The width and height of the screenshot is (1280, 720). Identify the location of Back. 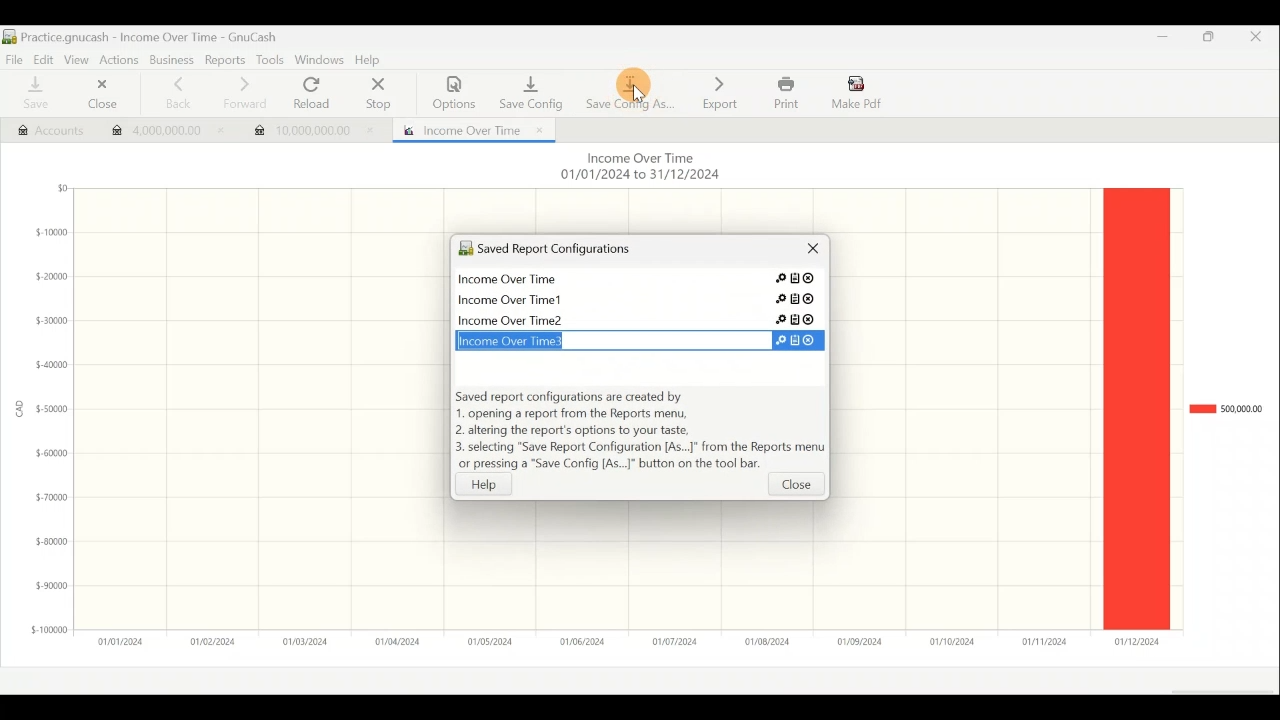
(172, 93).